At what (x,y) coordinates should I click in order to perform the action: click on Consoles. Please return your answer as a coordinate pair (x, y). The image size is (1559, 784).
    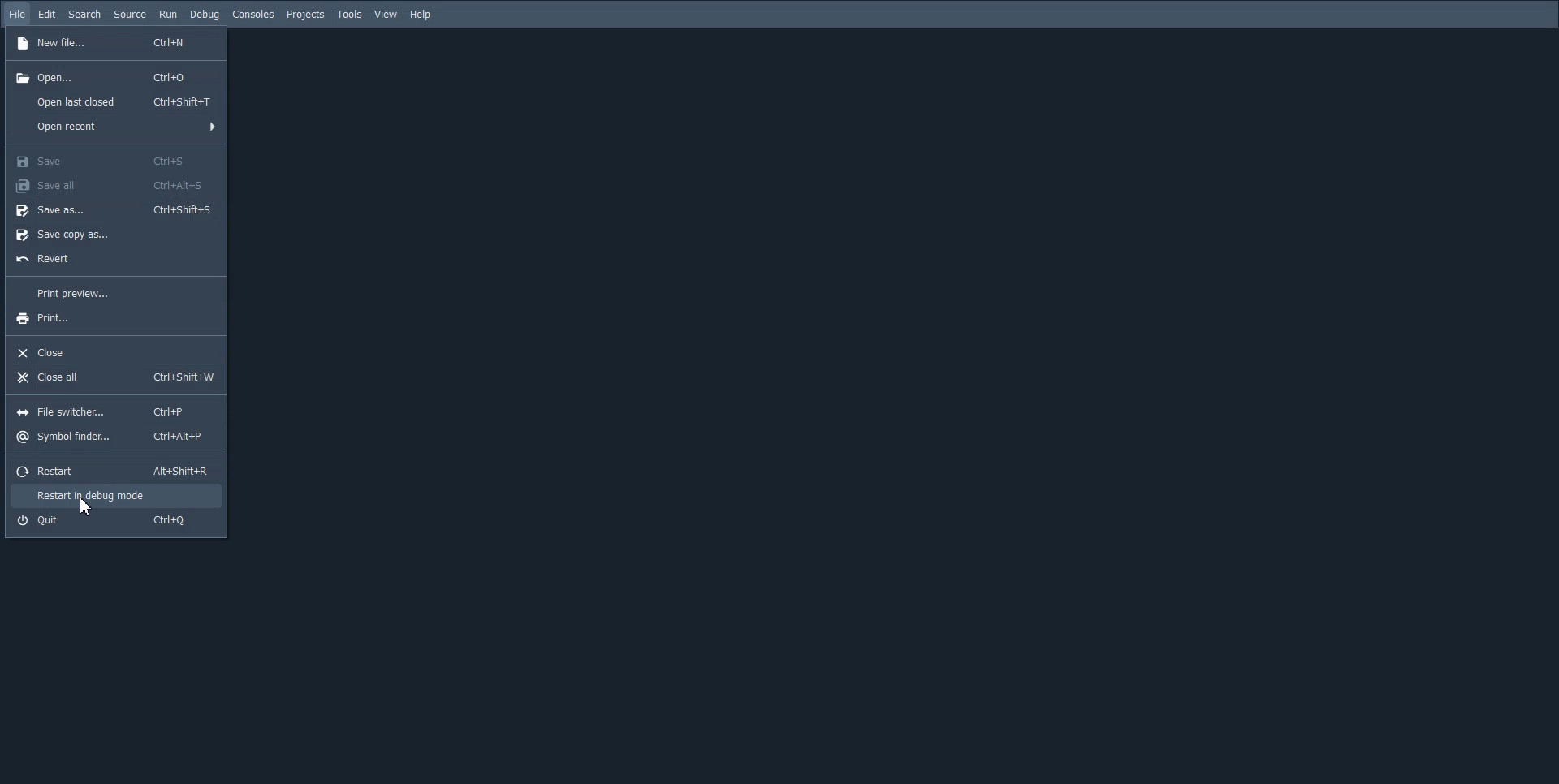
    Looking at the image, I should click on (253, 15).